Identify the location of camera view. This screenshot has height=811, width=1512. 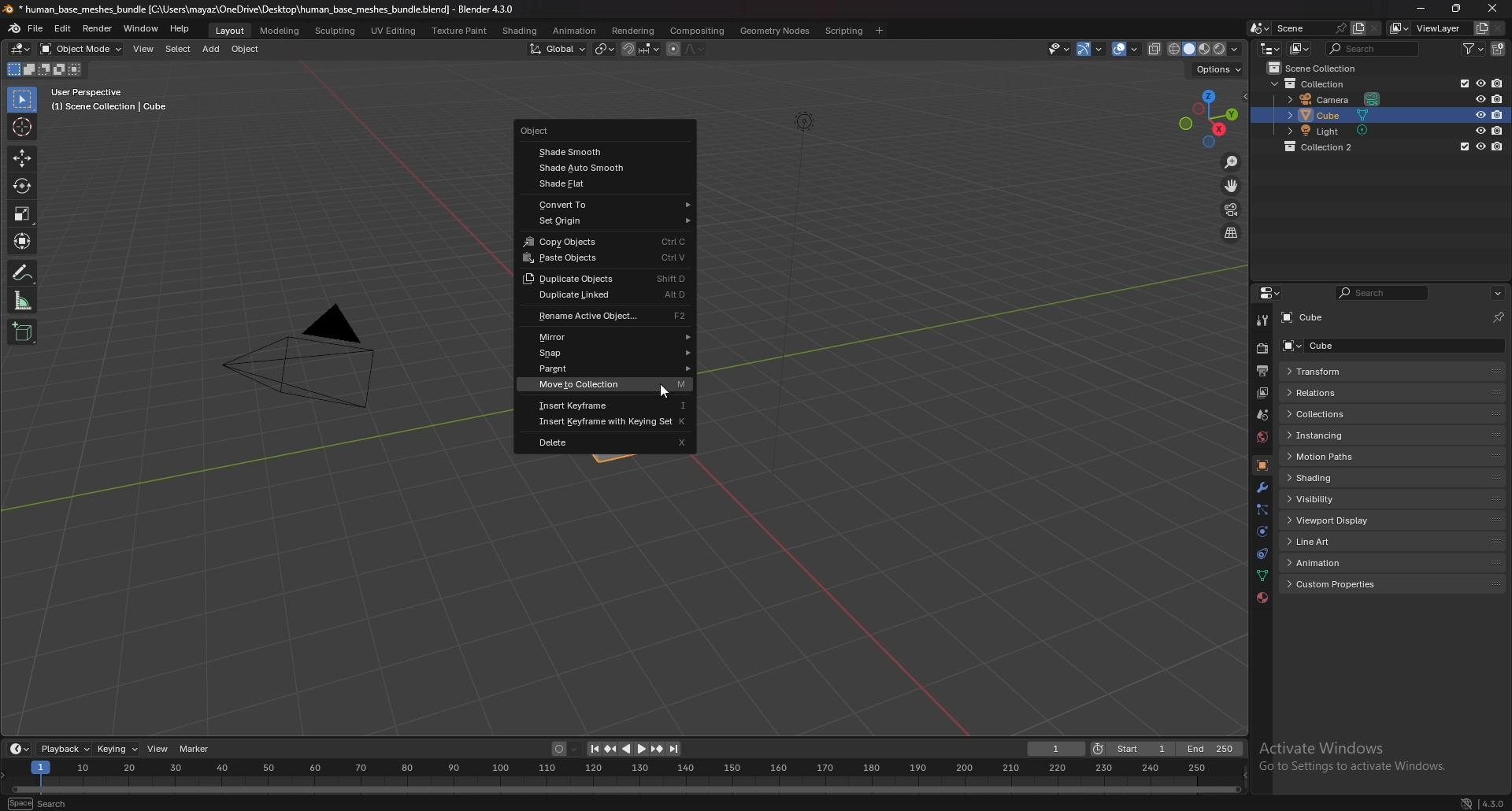
(1231, 209).